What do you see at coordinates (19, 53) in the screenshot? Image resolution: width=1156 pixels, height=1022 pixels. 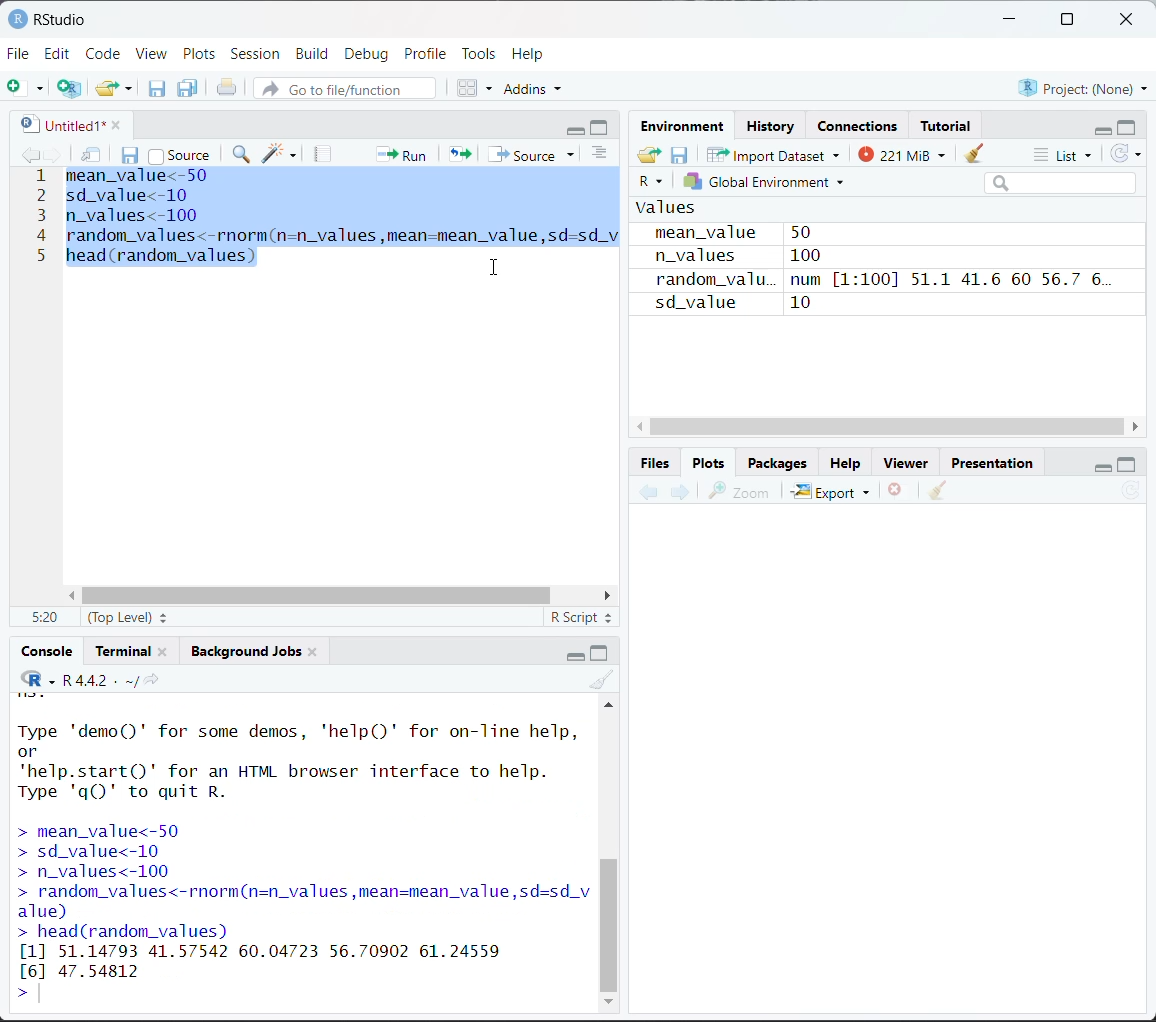 I see `File` at bounding box center [19, 53].